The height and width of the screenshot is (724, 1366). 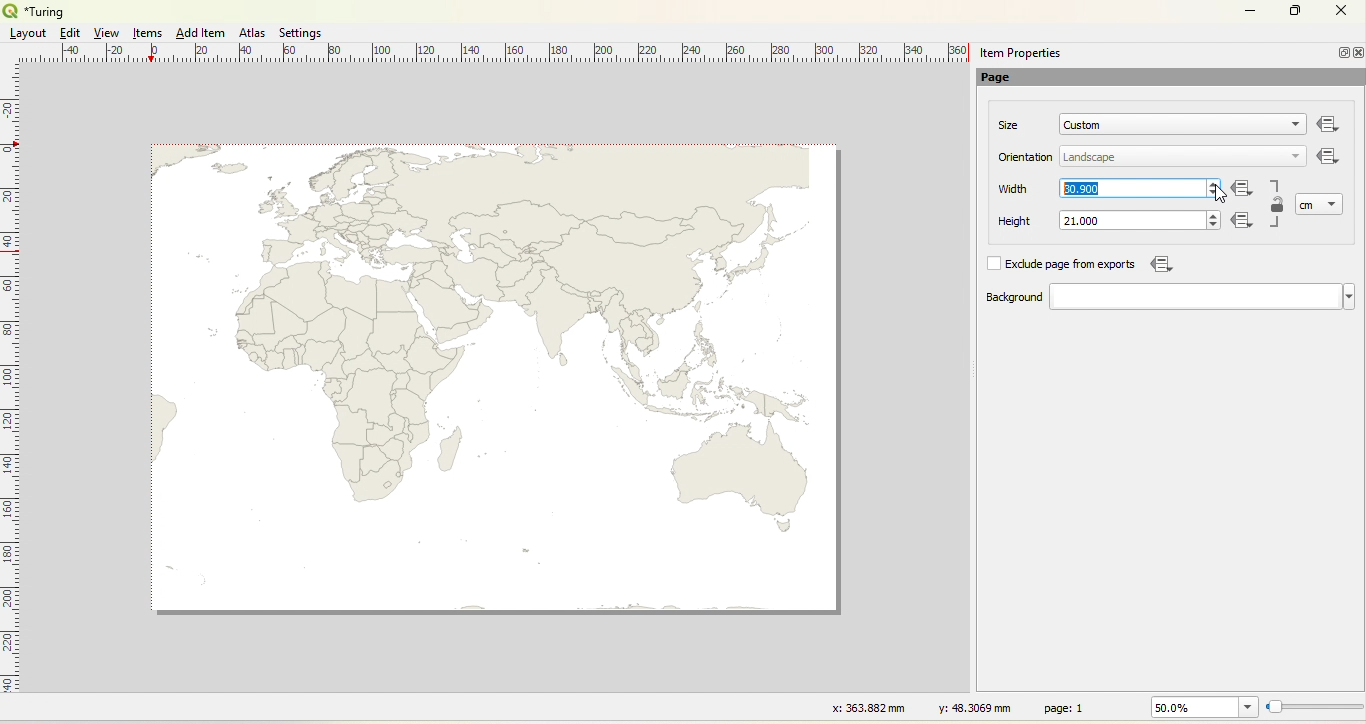 I want to click on , so click(x=1329, y=125).